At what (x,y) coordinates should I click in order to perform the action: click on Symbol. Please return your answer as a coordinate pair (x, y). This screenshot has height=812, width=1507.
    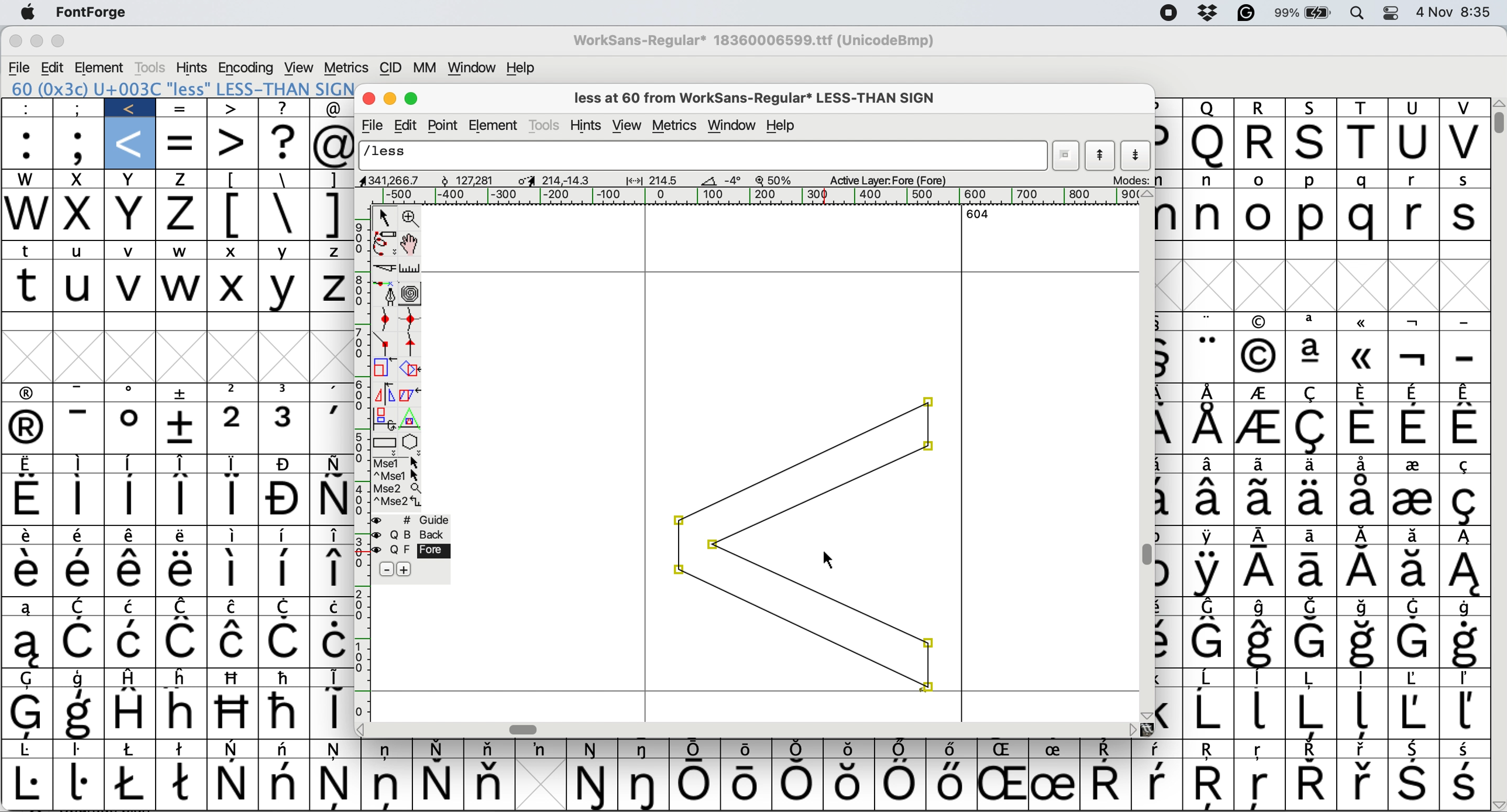
    Looking at the image, I should click on (27, 497).